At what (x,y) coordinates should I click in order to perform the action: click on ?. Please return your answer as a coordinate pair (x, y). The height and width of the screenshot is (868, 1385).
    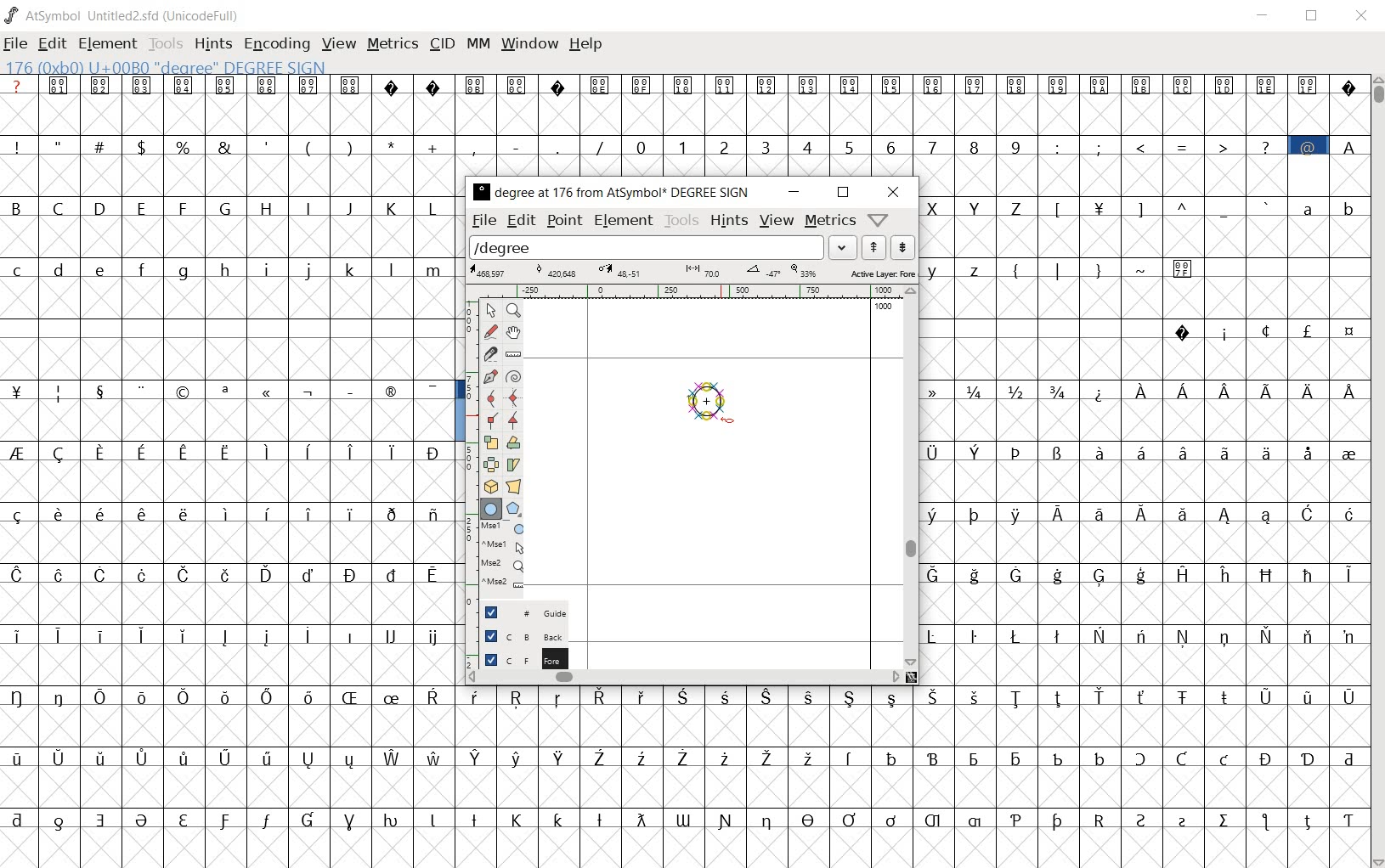
    Looking at the image, I should click on (17, 86).